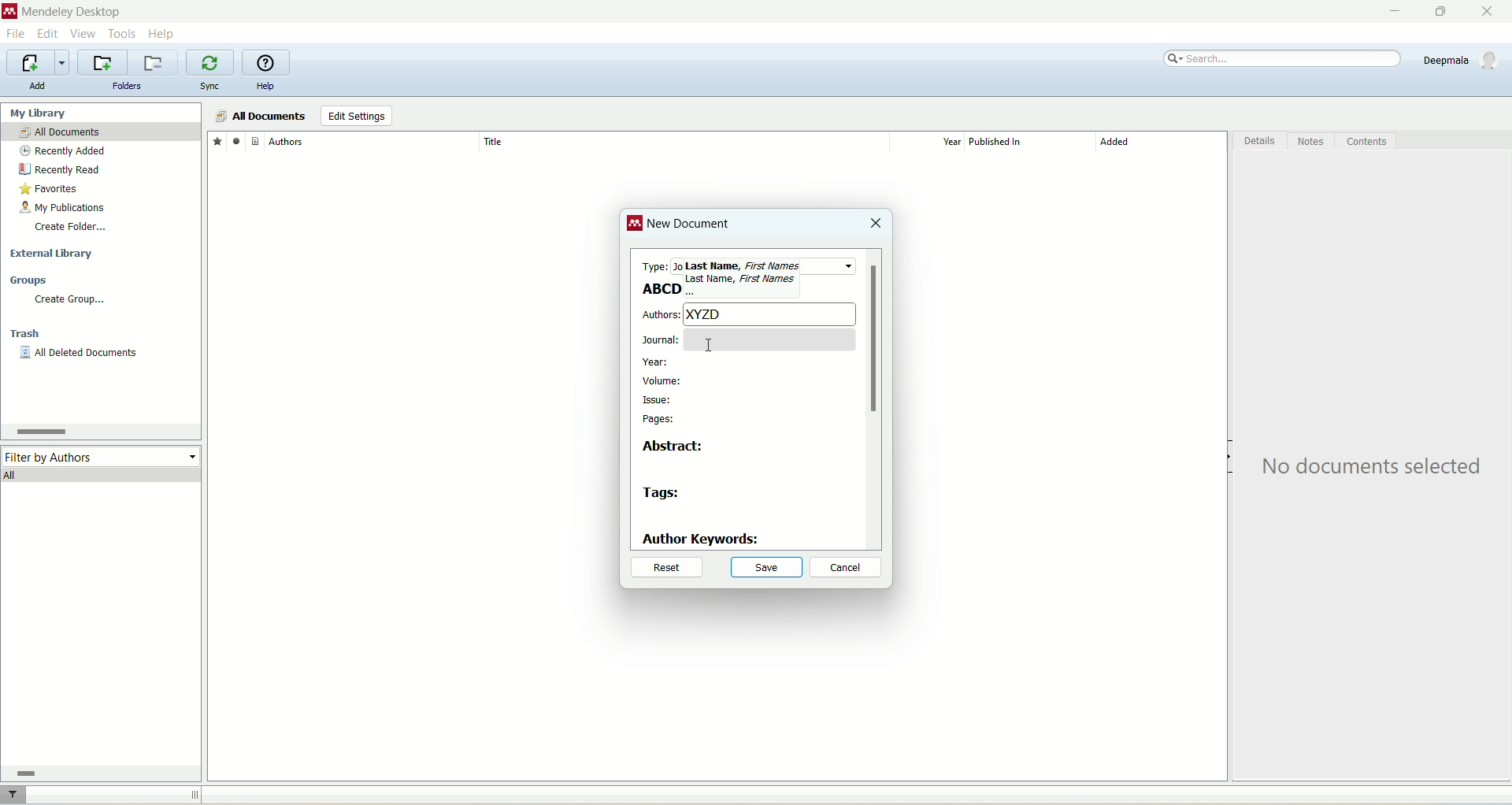 Image resolution: width=1512 pixels, height=805 pixels. Describe the element at coordinates (1376, 467) in the screenshot. I see `text` at that location.